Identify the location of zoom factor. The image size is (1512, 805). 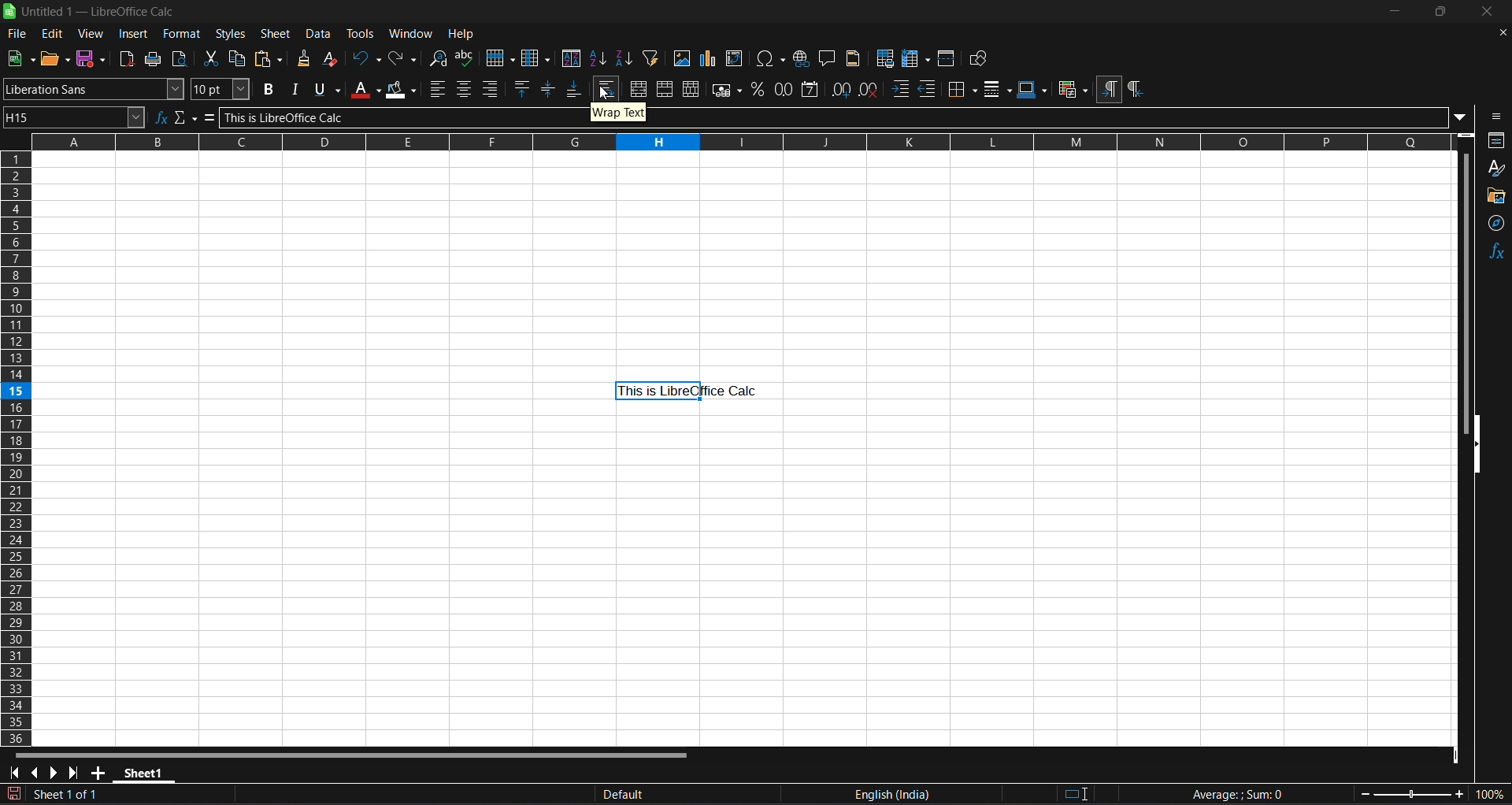
(1433, 793).